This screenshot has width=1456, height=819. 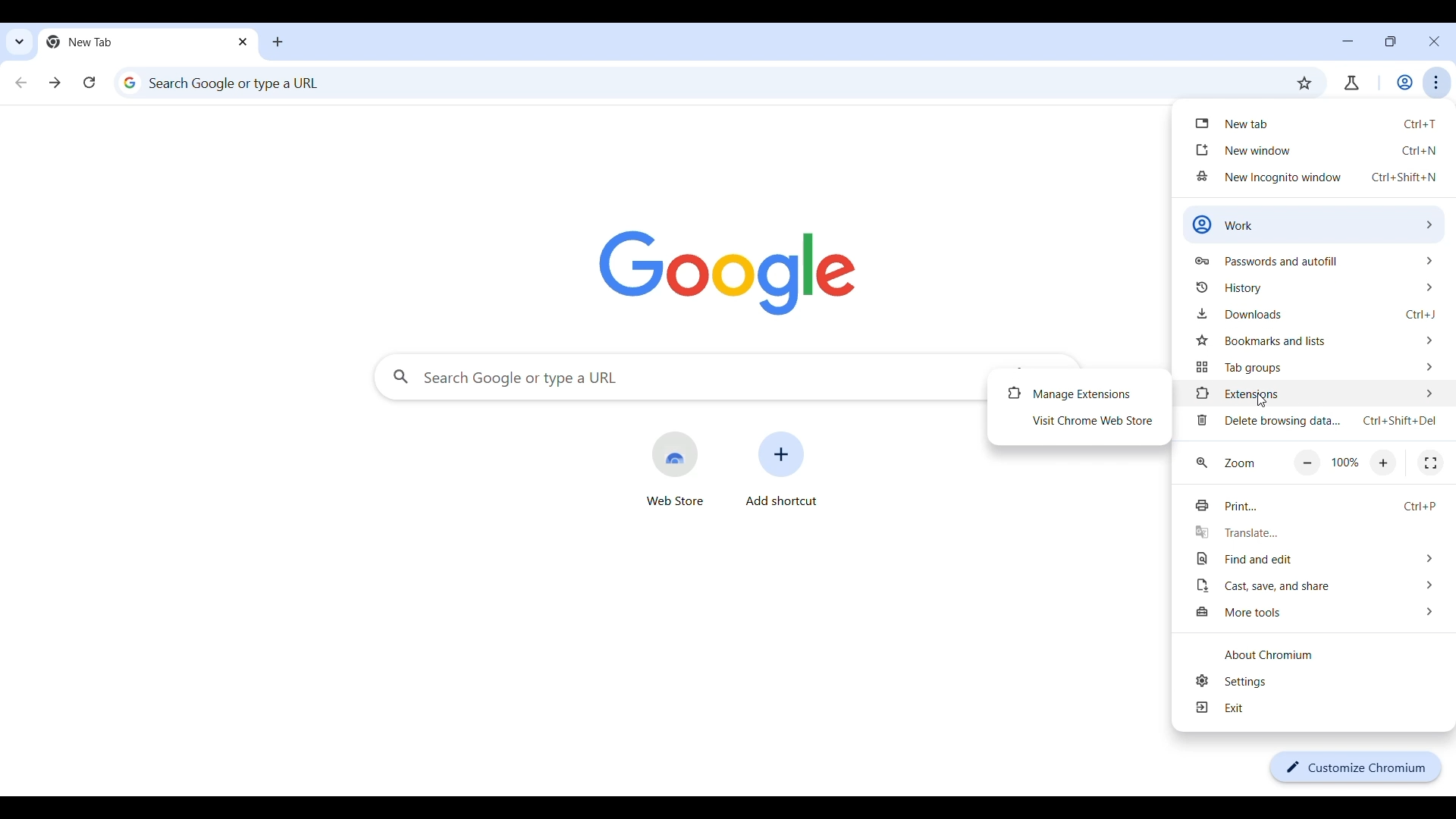 What do you see at coordinates (1317, 558) in the screenshot?
I see `Find and edit options` at bounding box center [1317, 558].